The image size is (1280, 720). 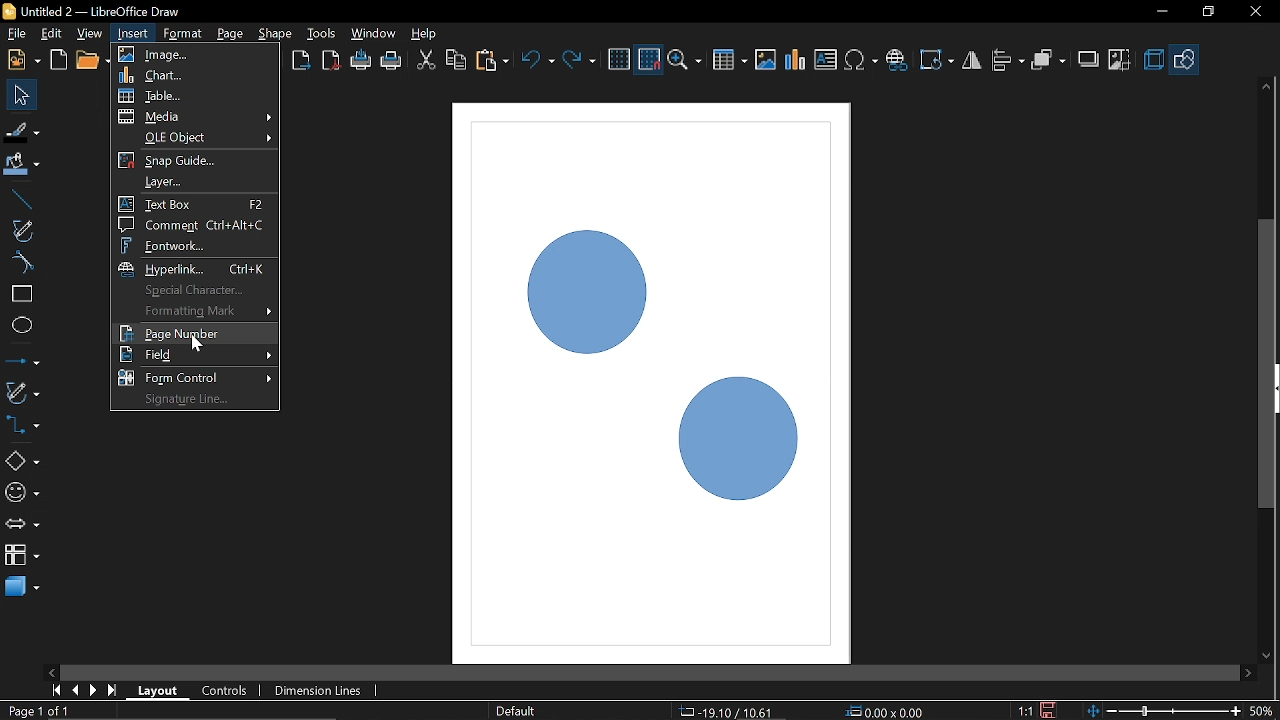 I want to click on Table, so click(x=198, y=97).